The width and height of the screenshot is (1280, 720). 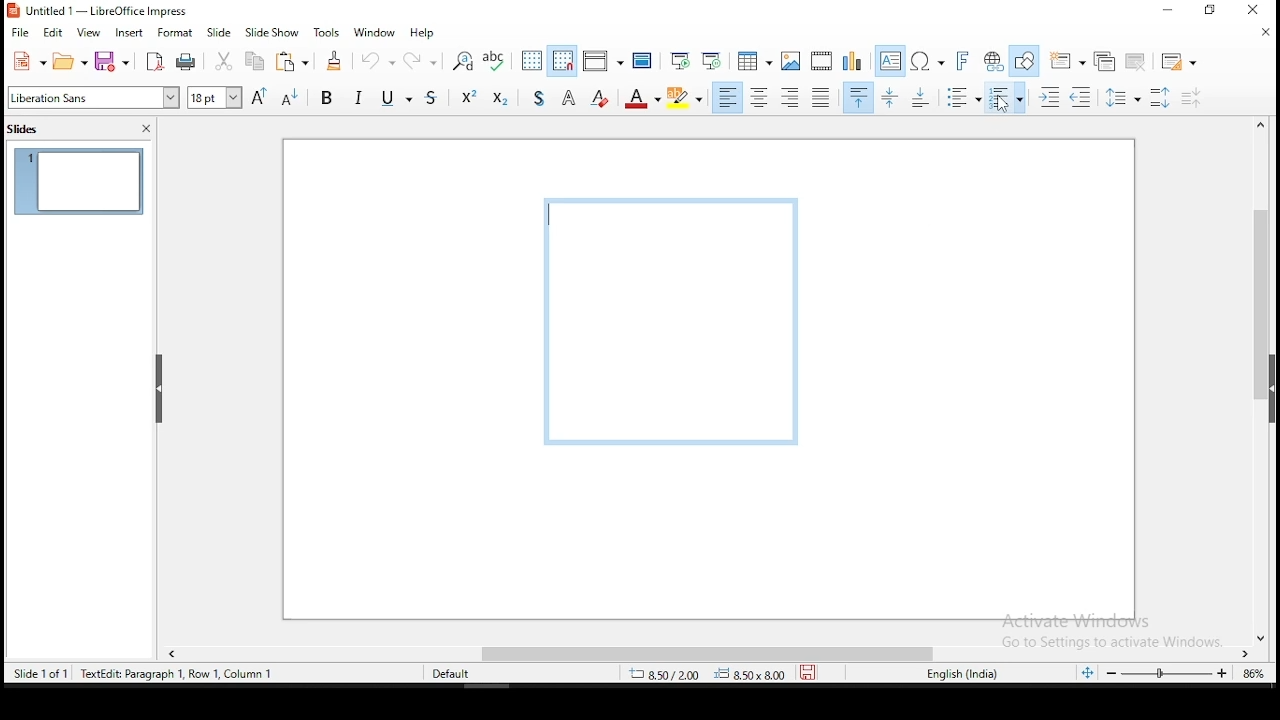 I want to click on bold, so click(x=328, y=101).